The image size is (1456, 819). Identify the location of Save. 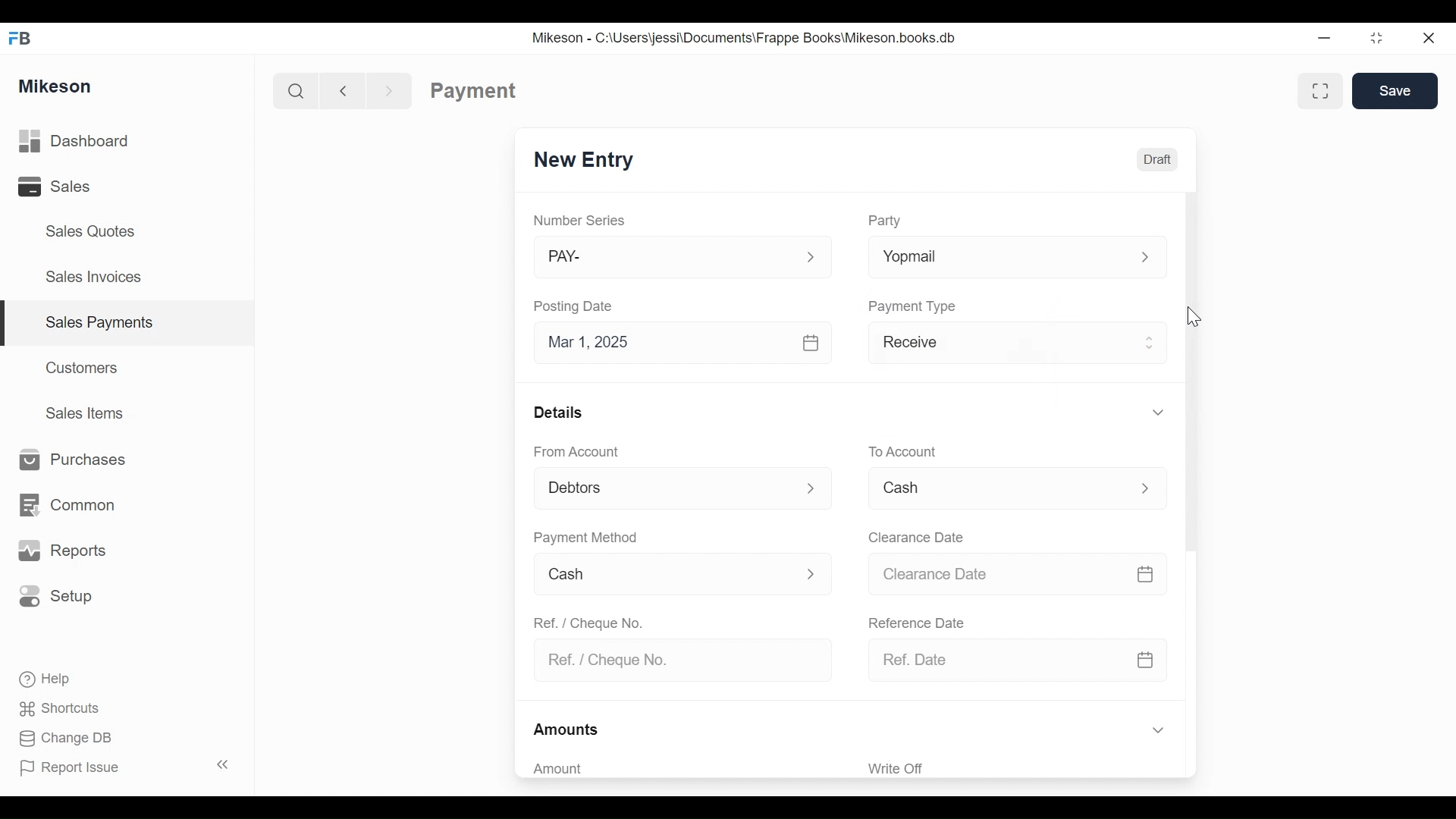
(1398, 92).